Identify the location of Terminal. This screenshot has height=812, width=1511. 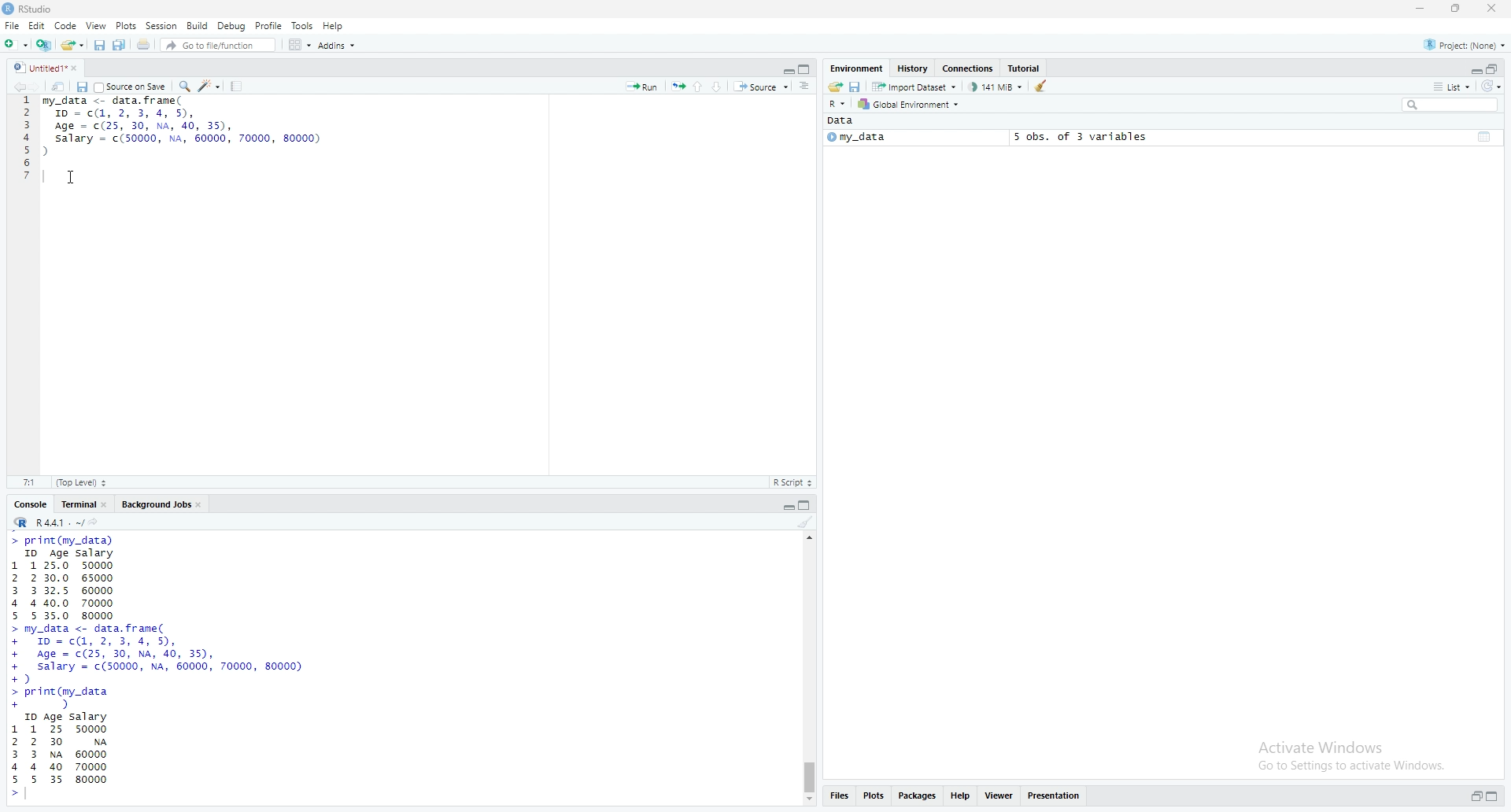
(86, 504).